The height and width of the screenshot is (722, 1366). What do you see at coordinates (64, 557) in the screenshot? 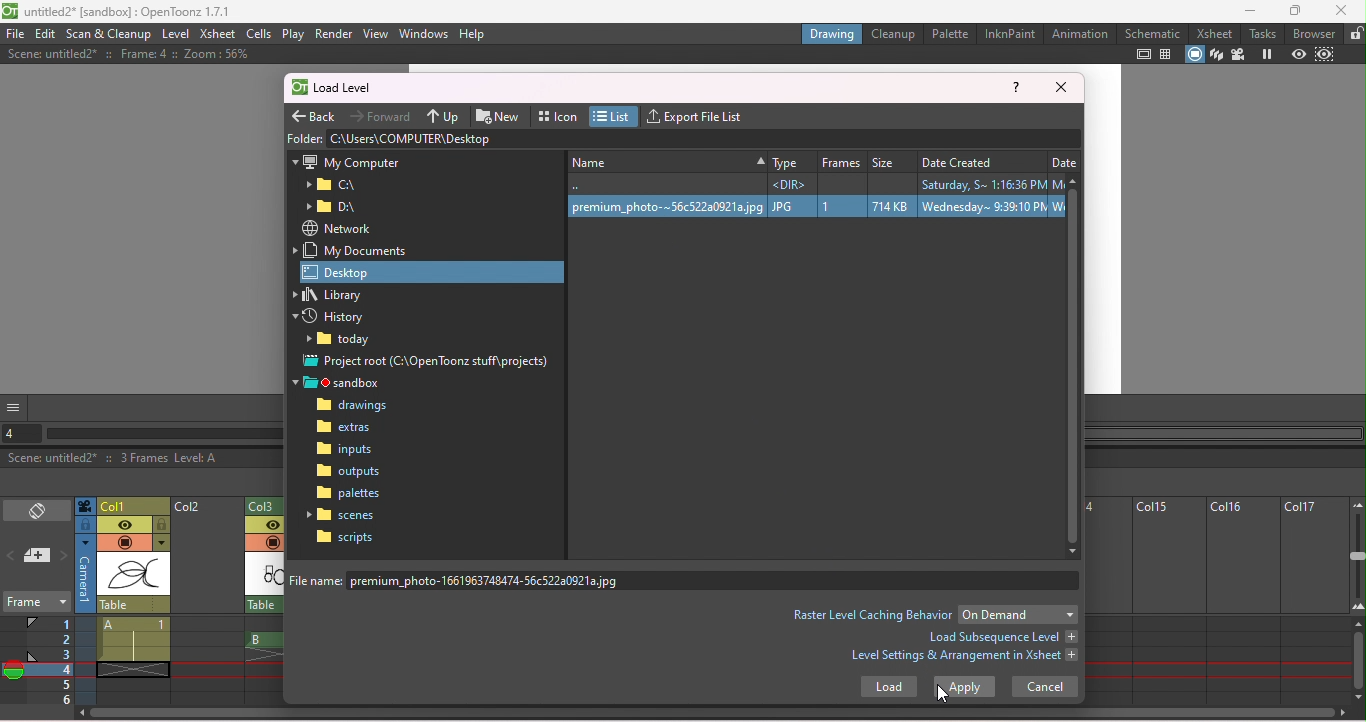
I see `Next memo` at bounding box center [64, 557].